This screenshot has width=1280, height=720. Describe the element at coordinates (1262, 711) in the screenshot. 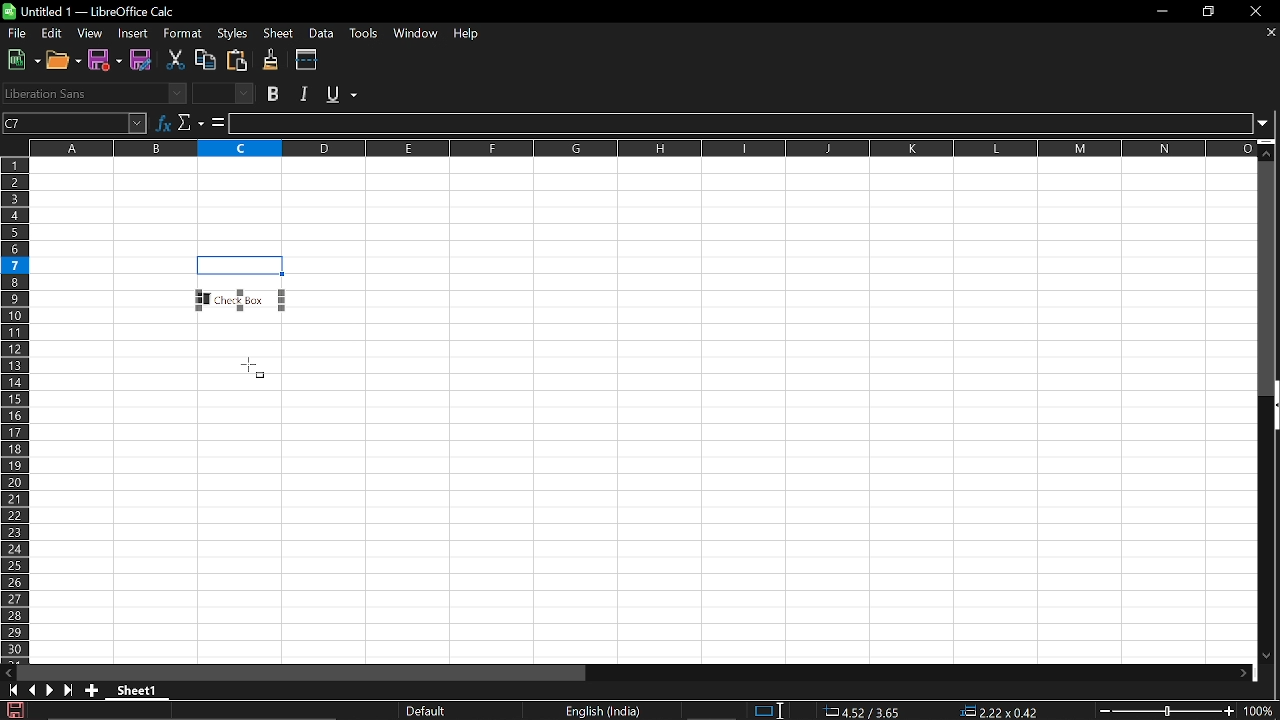

I see `Current zoom` at that location.